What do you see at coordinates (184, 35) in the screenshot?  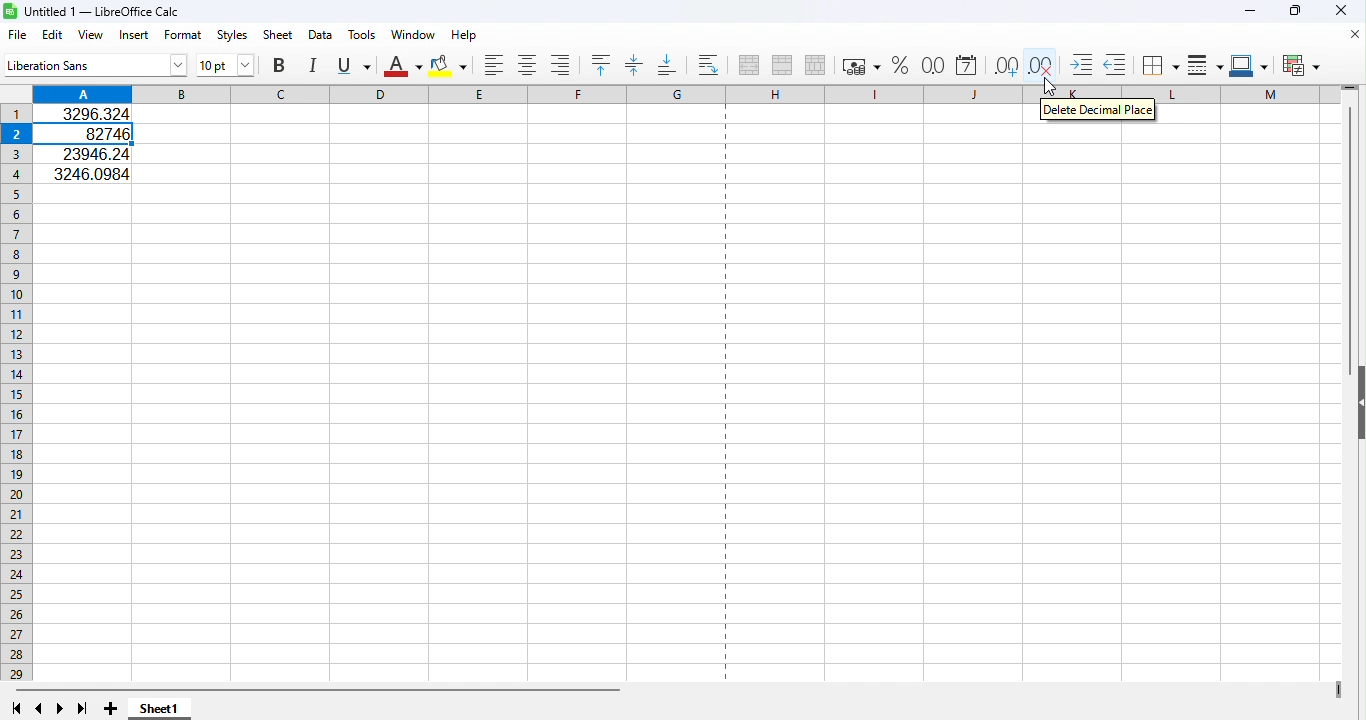 I see `Format` at bounding box center [184, 35].